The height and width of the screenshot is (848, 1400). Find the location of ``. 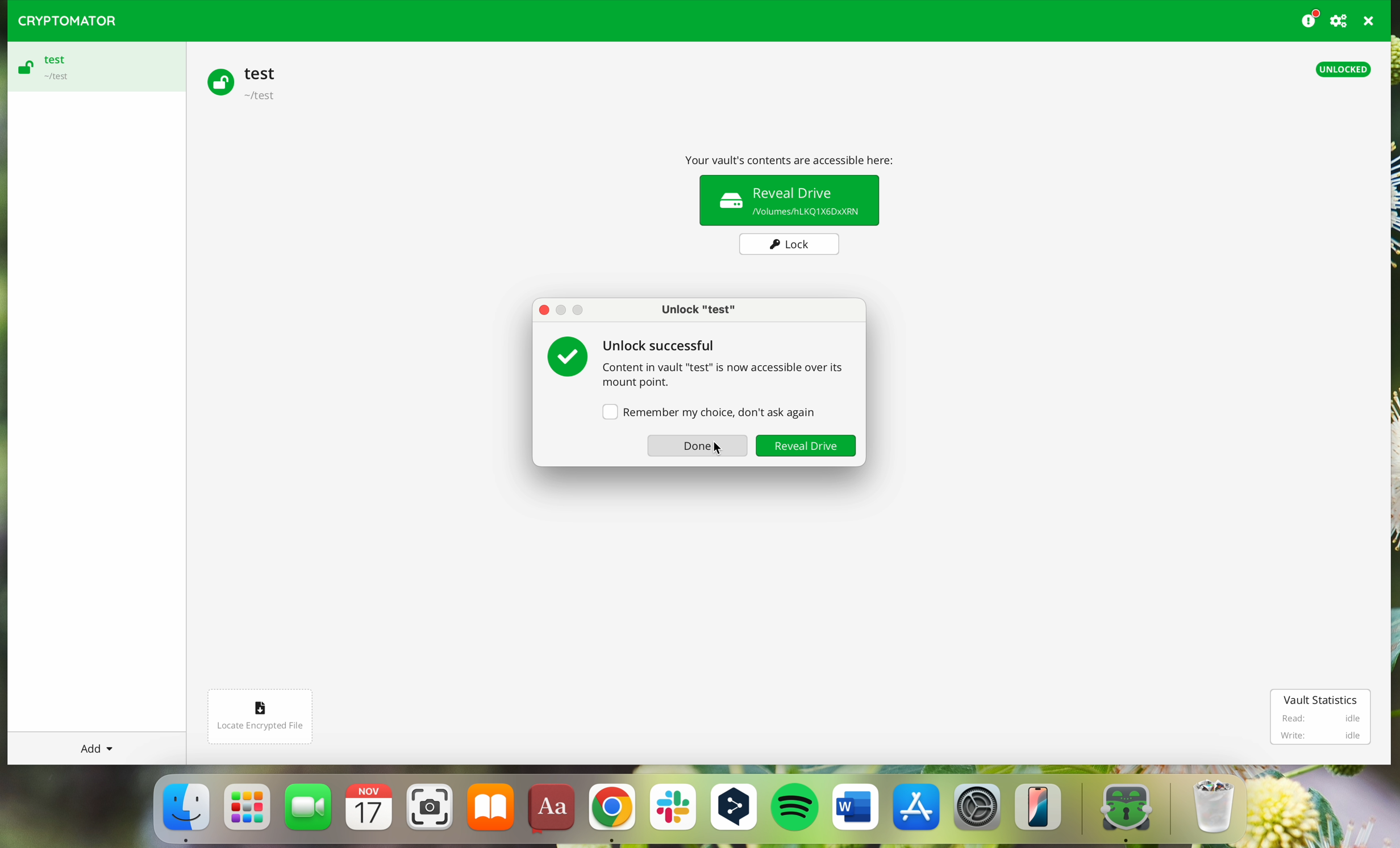

 is located at coordinates (544, 312).